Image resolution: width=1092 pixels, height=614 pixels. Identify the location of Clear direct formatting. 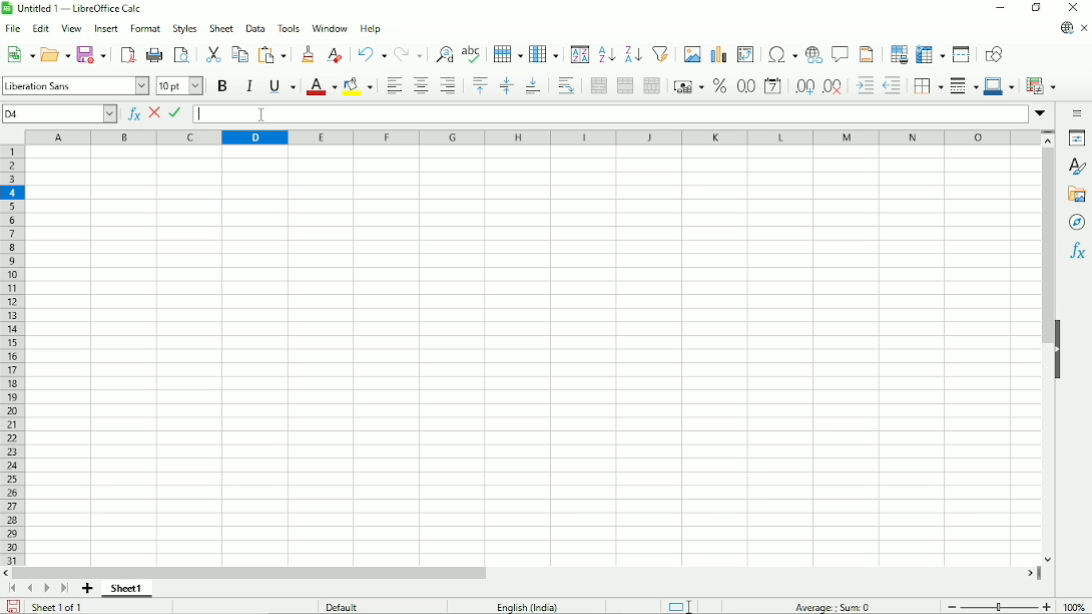
(335, 56).